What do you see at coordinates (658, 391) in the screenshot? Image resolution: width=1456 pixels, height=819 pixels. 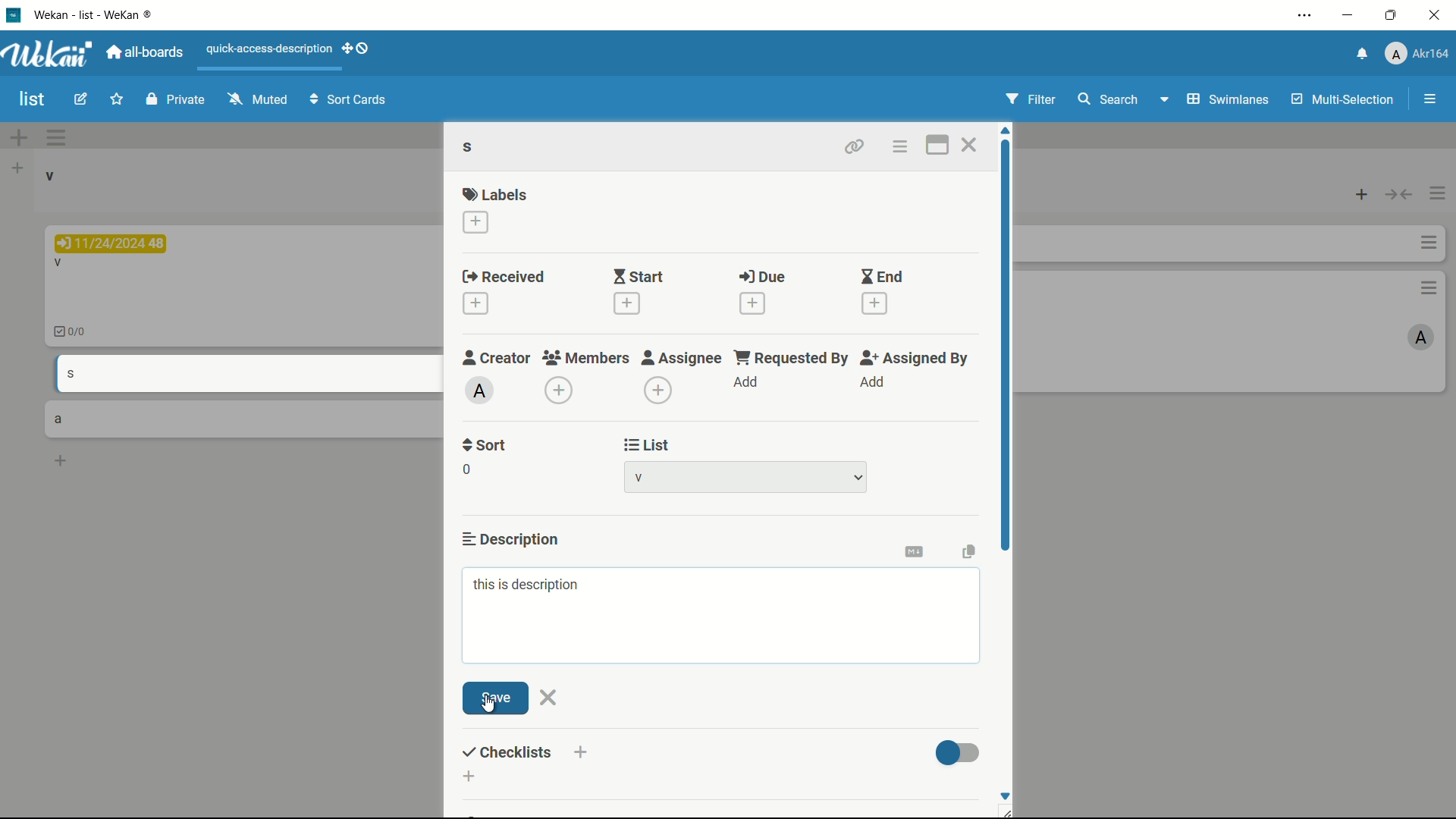 I see `add assignee` at bounding box center [658, 391].